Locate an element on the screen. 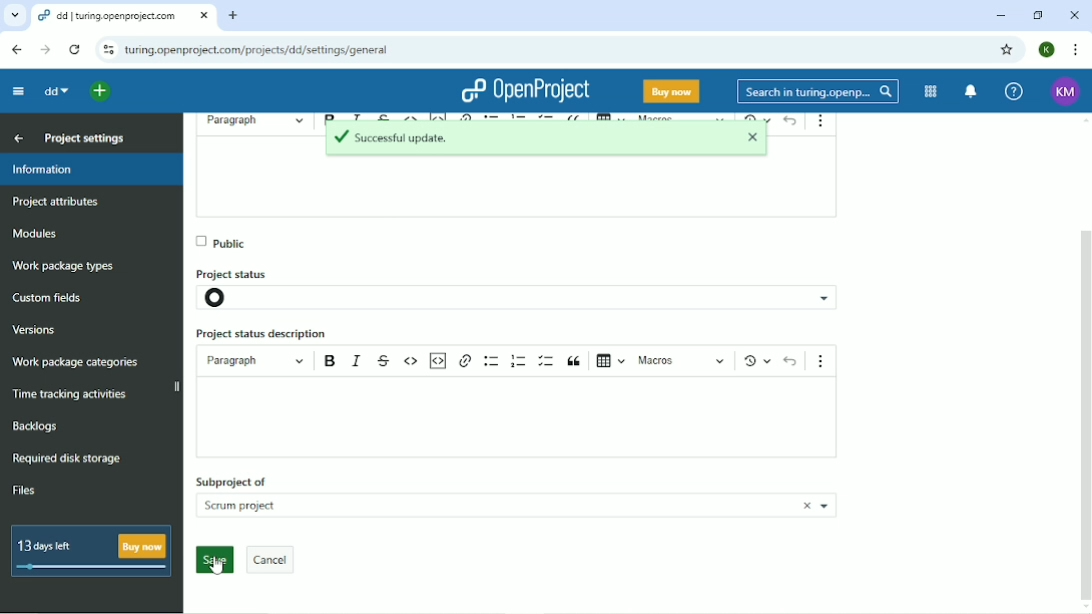 This screenshot has height=614, width=1092. Cursor is located at coordinates (216, 563).